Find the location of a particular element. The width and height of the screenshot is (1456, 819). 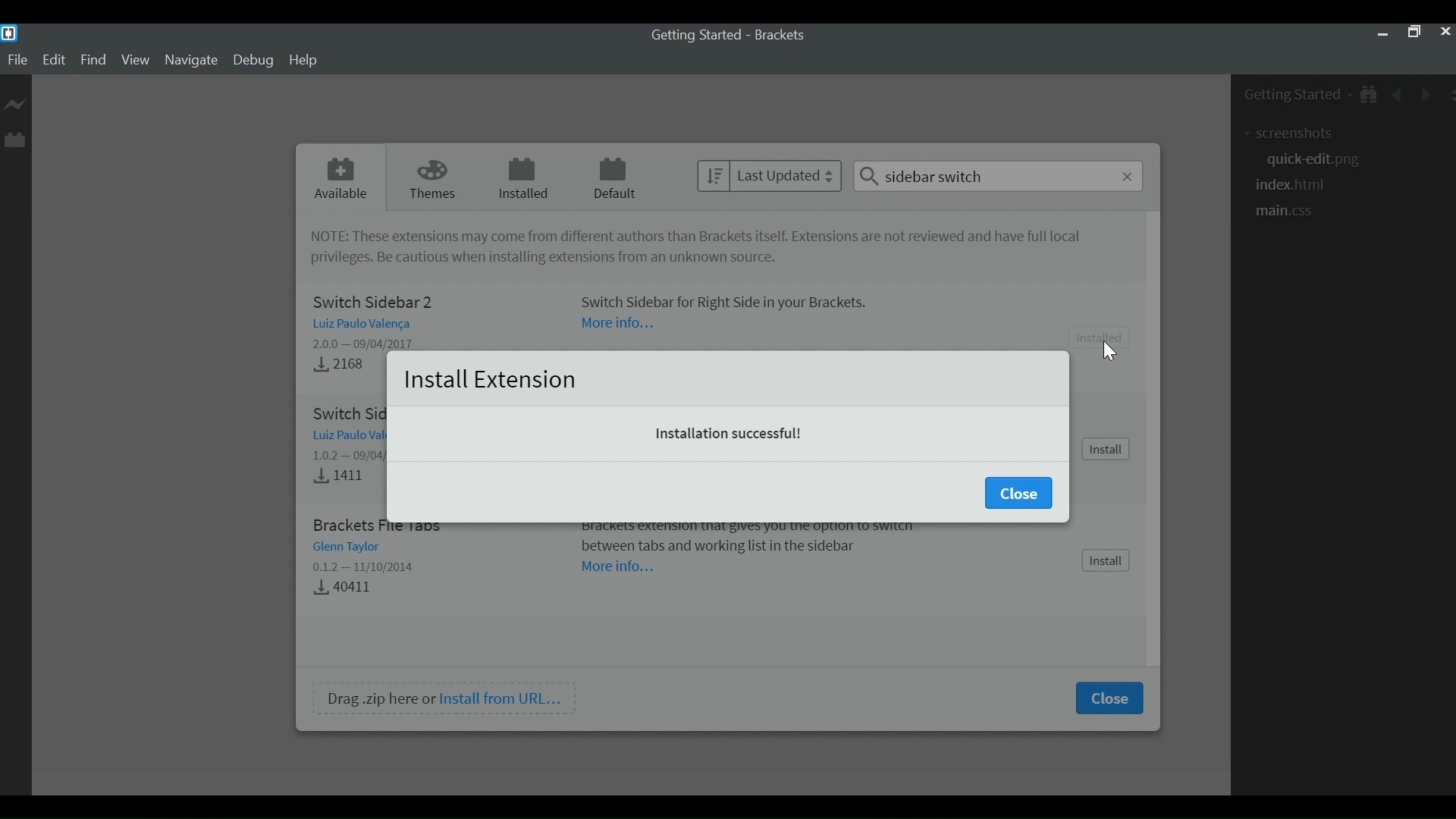

NOTE: These extensions may come from different authors than brackets itself. Extensions are not reviewed and  is located at coordinates (702, 237).